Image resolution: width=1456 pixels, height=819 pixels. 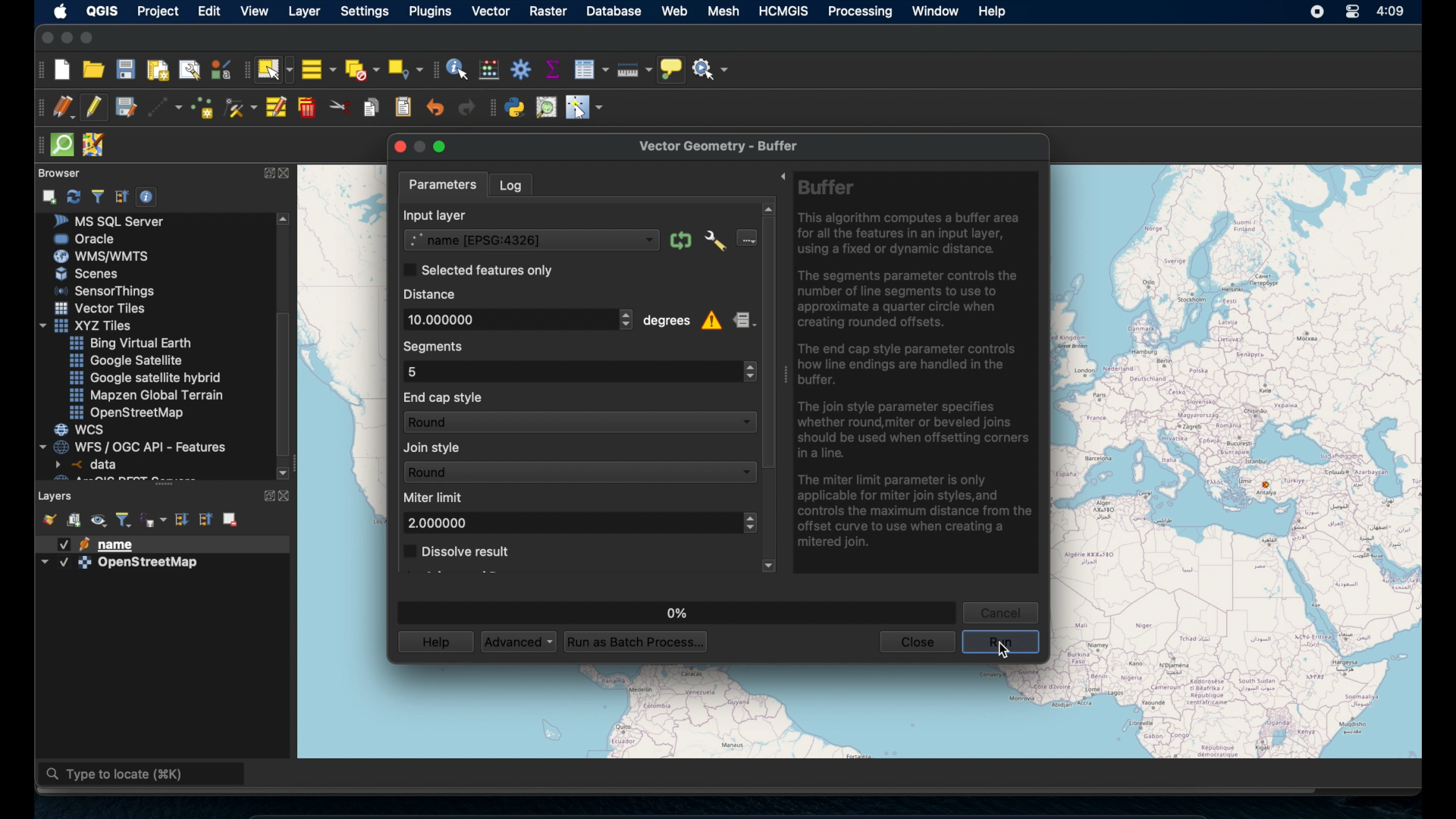 What do you see at coordinates (283, 471) in the screenshot?
I see `scroll down arrow` at bounding box center [283, 471].